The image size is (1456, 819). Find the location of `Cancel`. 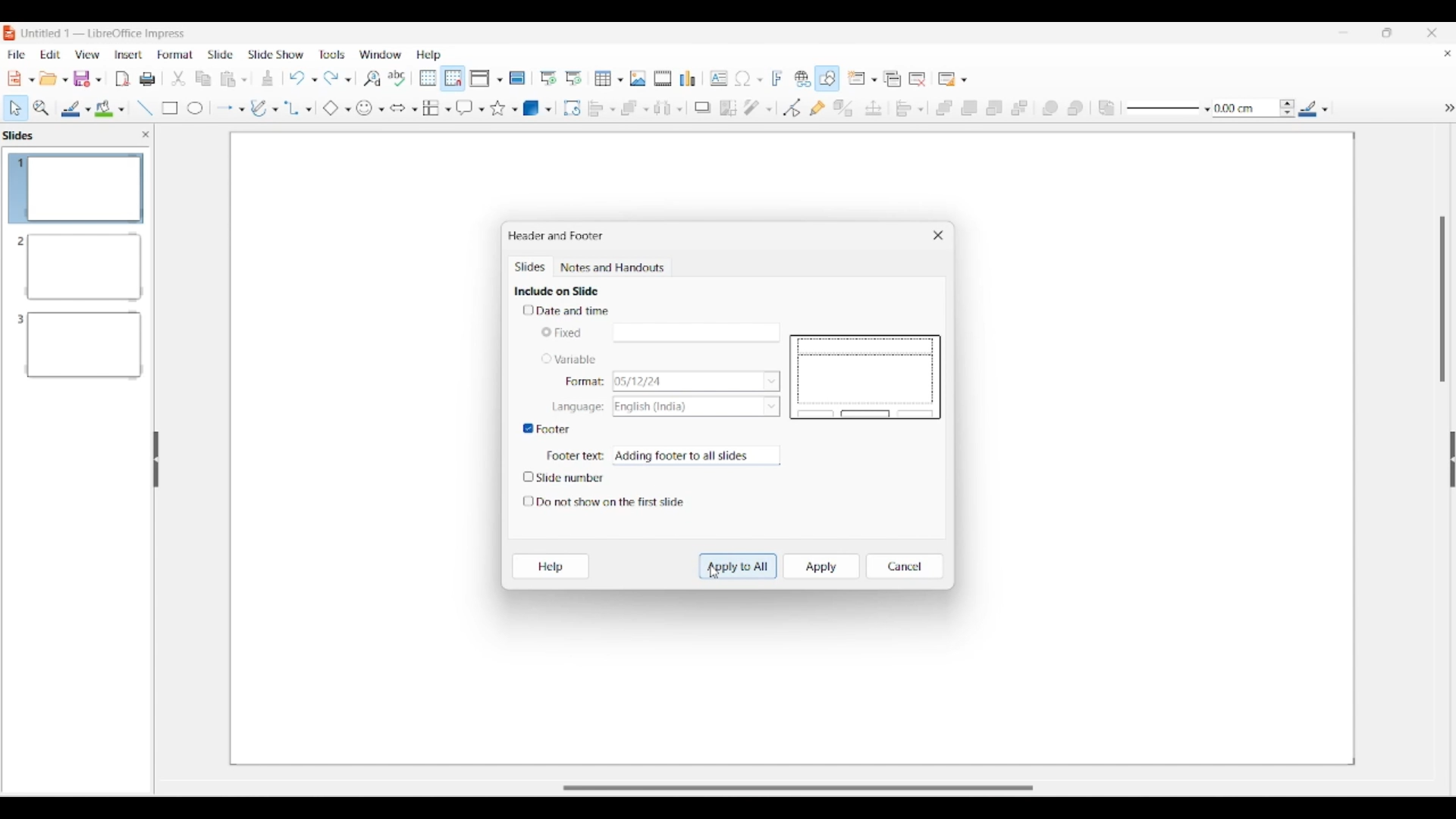

Cancel is located at coordinates (904, 566).